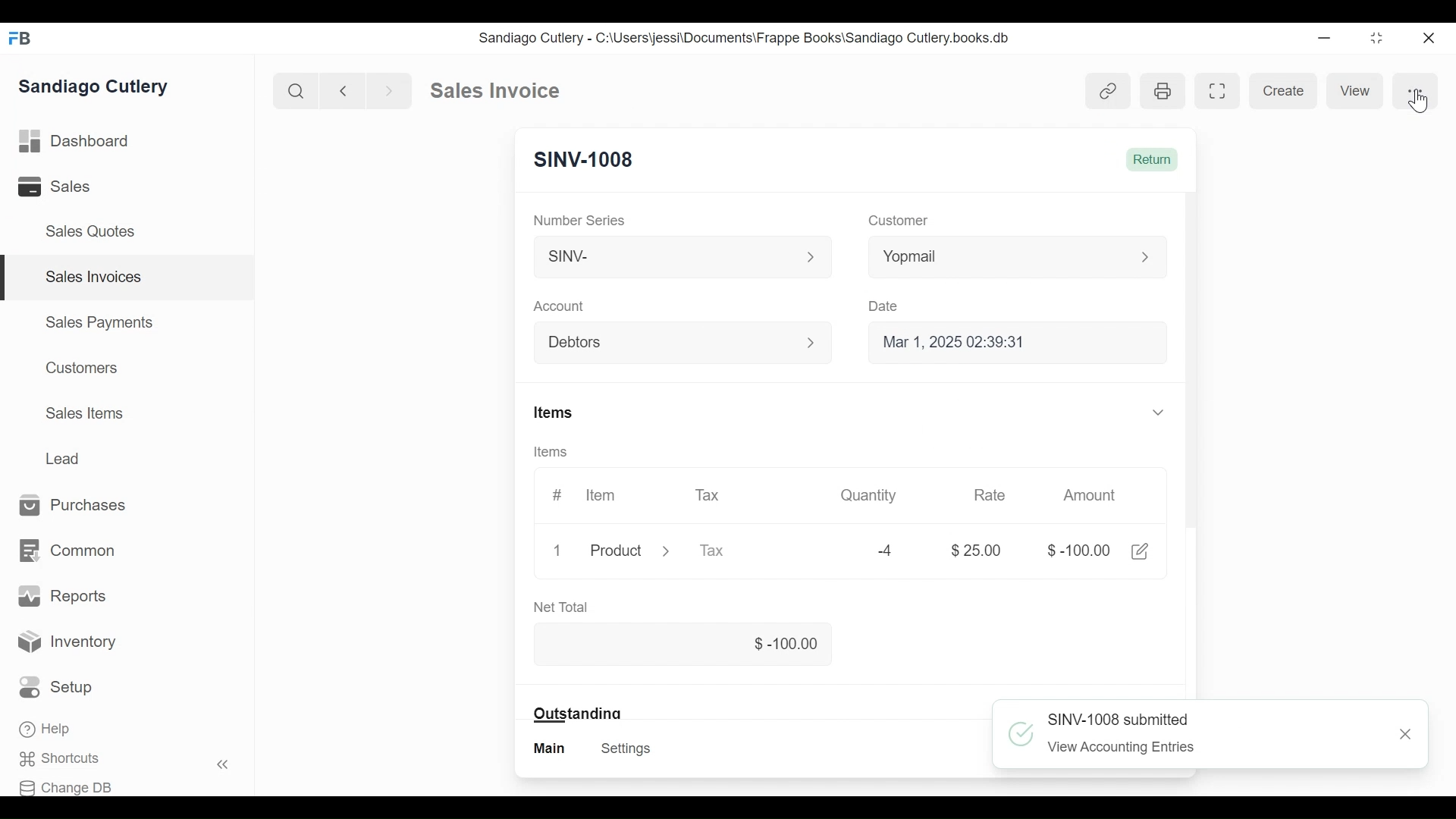 This screenshot has width=1456, height=819. What do you see at coordinates (1406, 735) in the screenshot?
I see `Close notification` at bounding box center [1406, 735].